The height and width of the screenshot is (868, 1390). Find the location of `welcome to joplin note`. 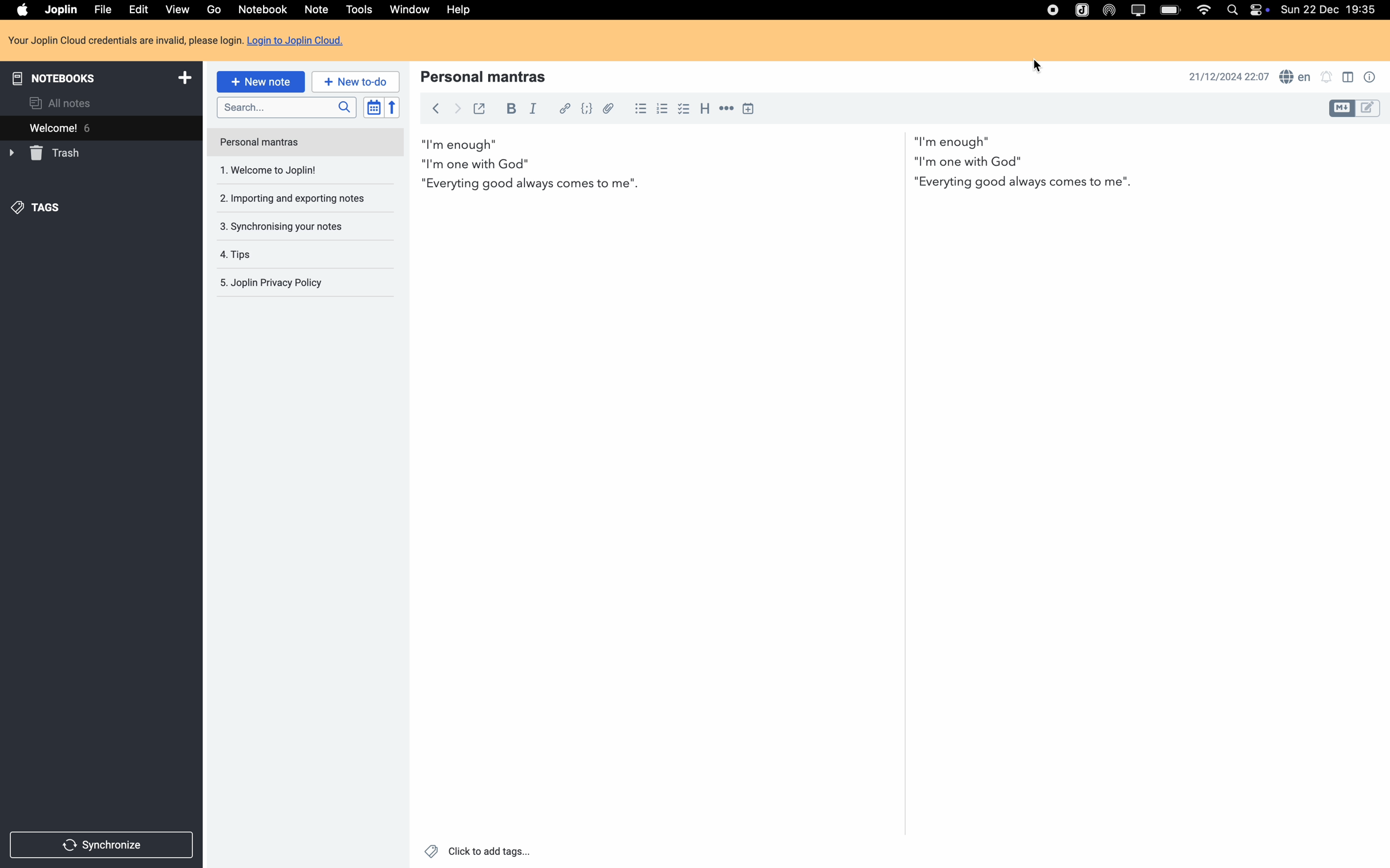

welcome to joplin note is located at coordinates (275, 172).